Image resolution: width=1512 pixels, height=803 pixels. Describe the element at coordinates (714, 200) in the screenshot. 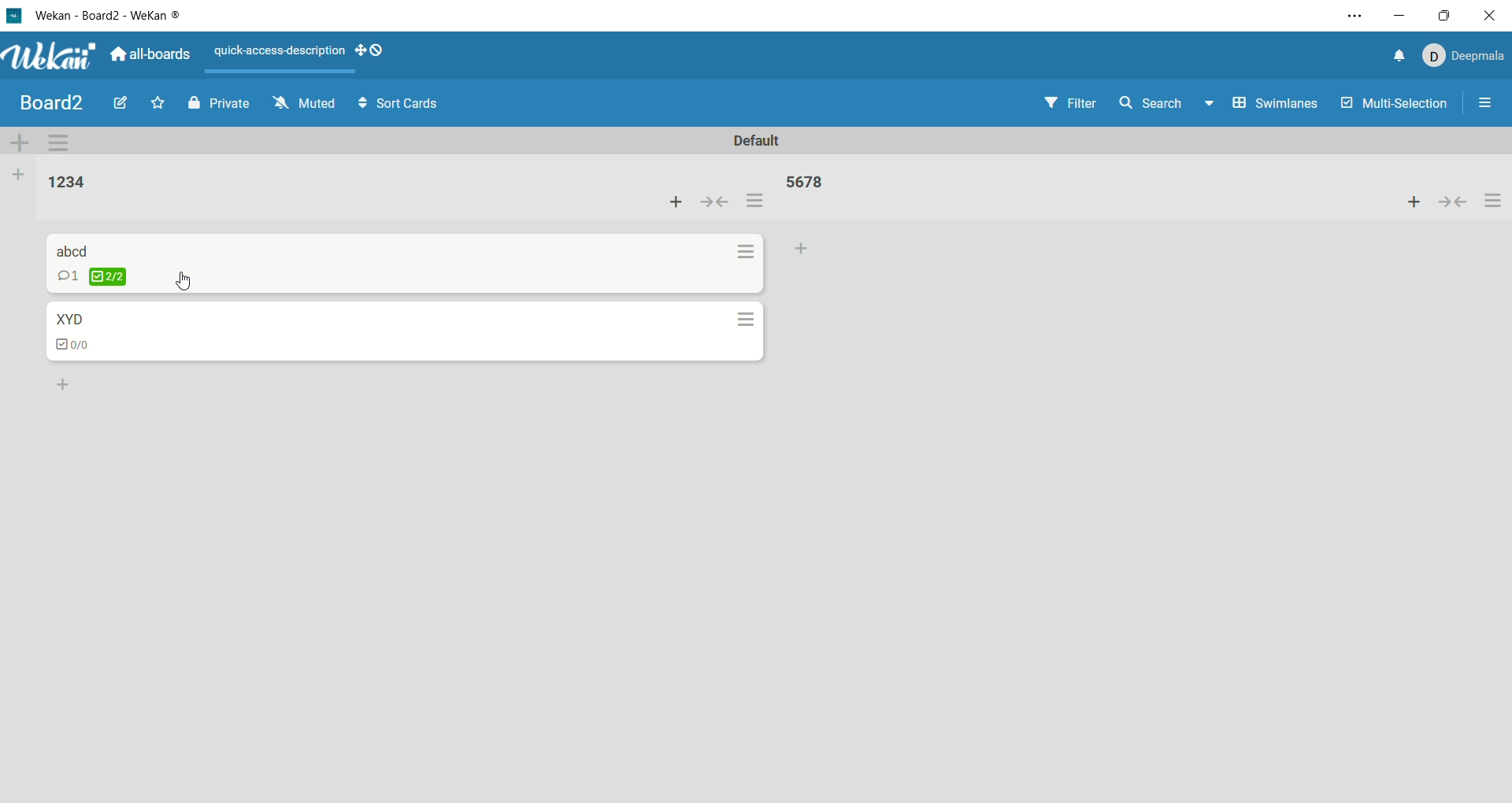

I see `collapse` at that location.